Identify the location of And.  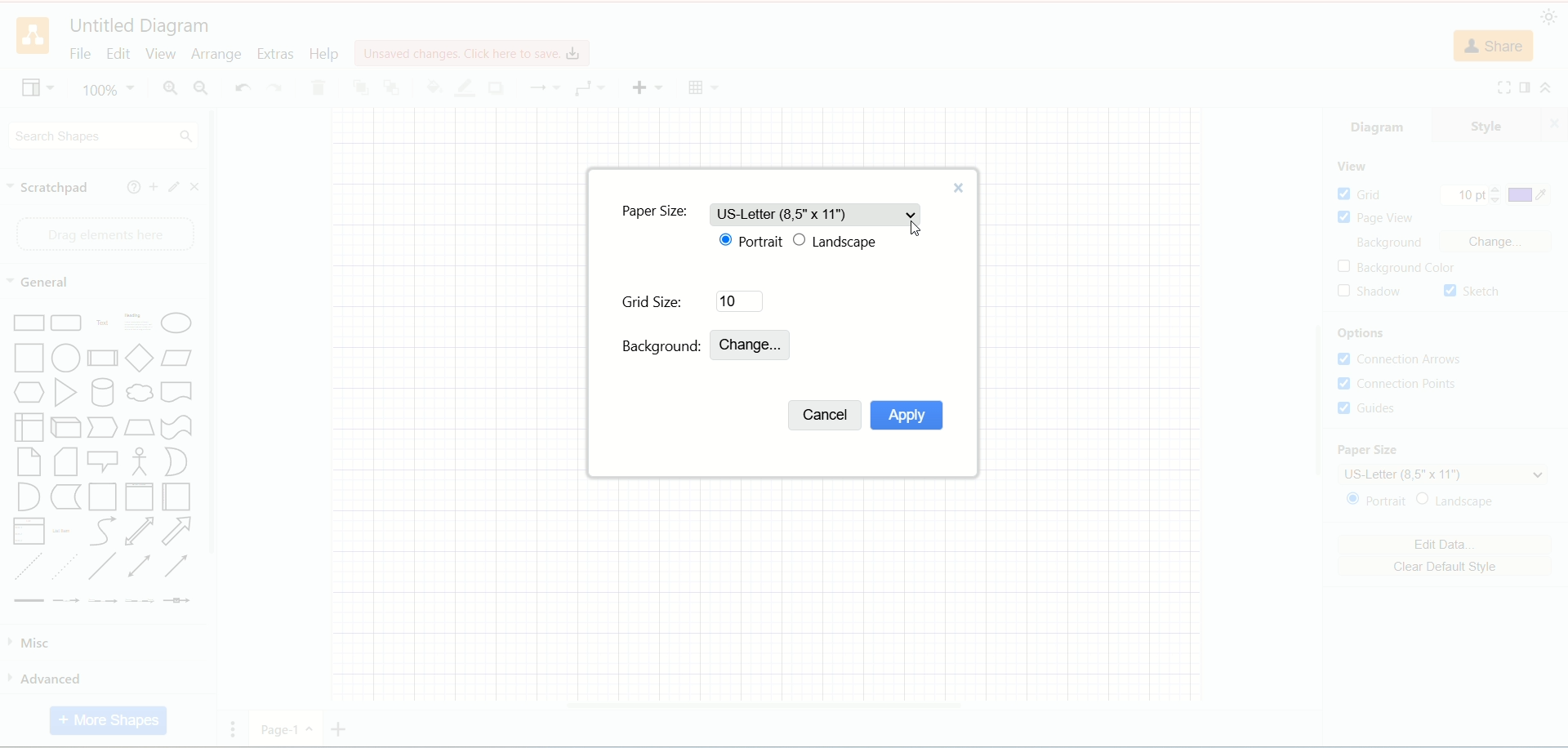
(26, 496).